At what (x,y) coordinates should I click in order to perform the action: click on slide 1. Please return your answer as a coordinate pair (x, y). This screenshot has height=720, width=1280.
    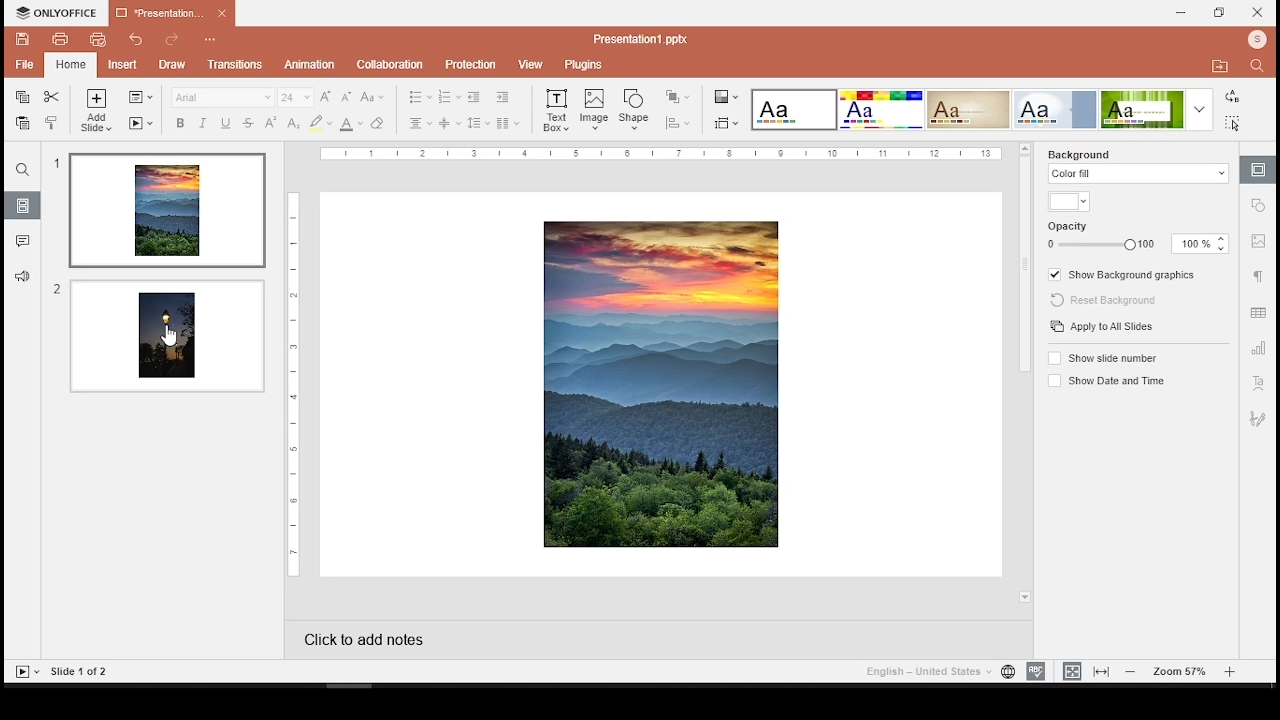
    Looking at the image, I should click on (167, 211).